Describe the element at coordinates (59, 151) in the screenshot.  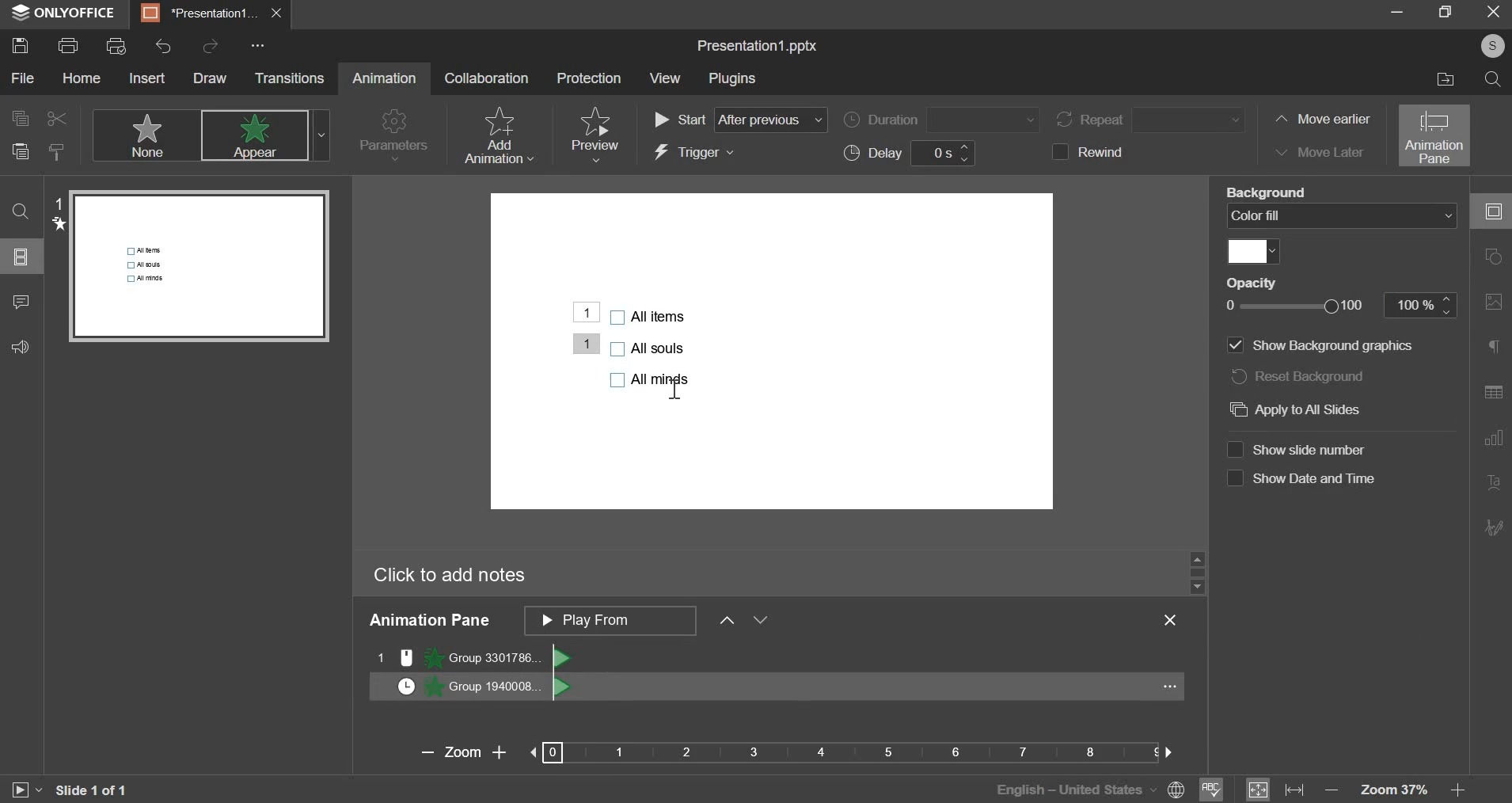
I see `copy style` at that location.